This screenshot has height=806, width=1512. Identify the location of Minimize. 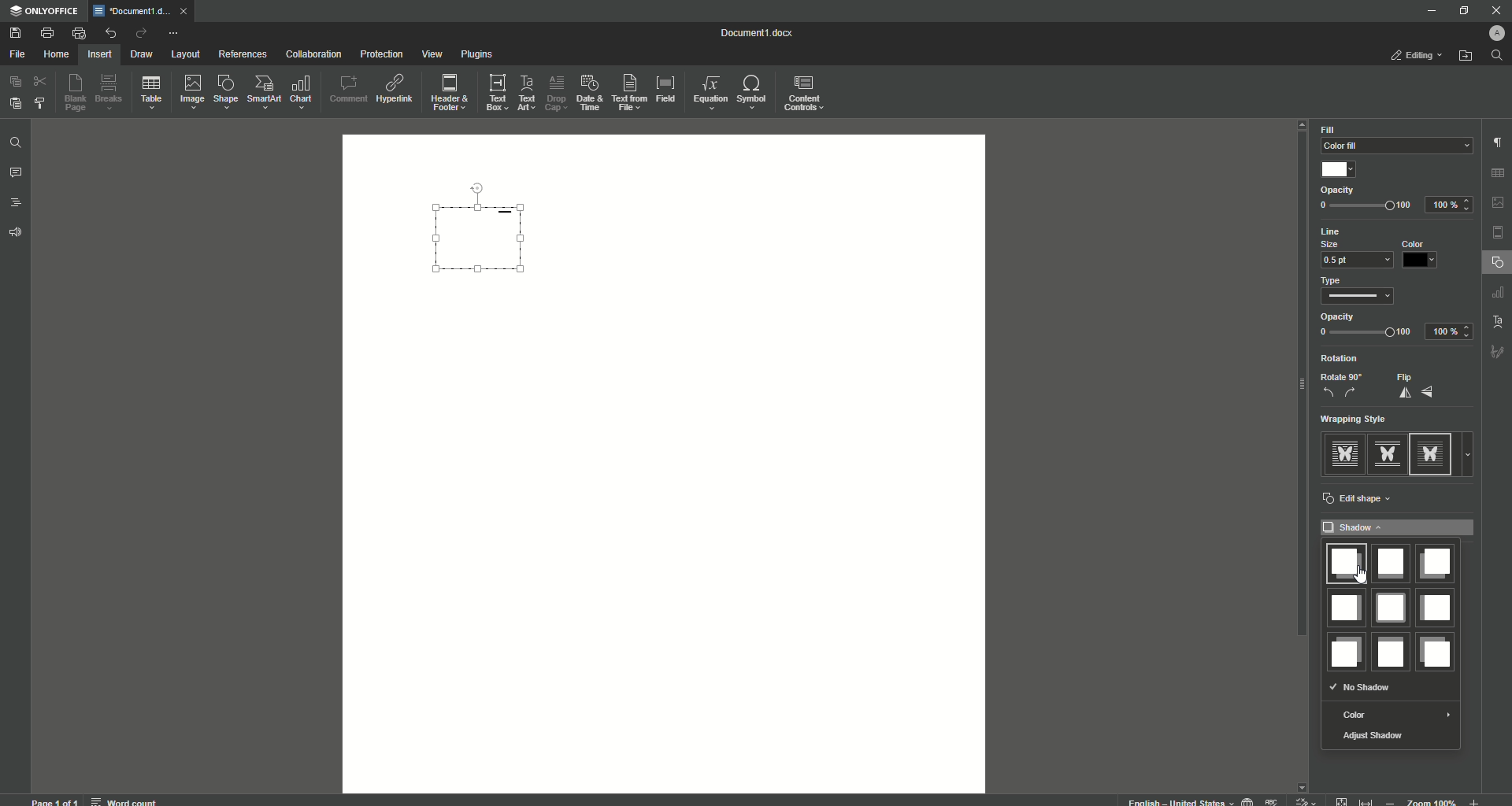
(1427, 10).